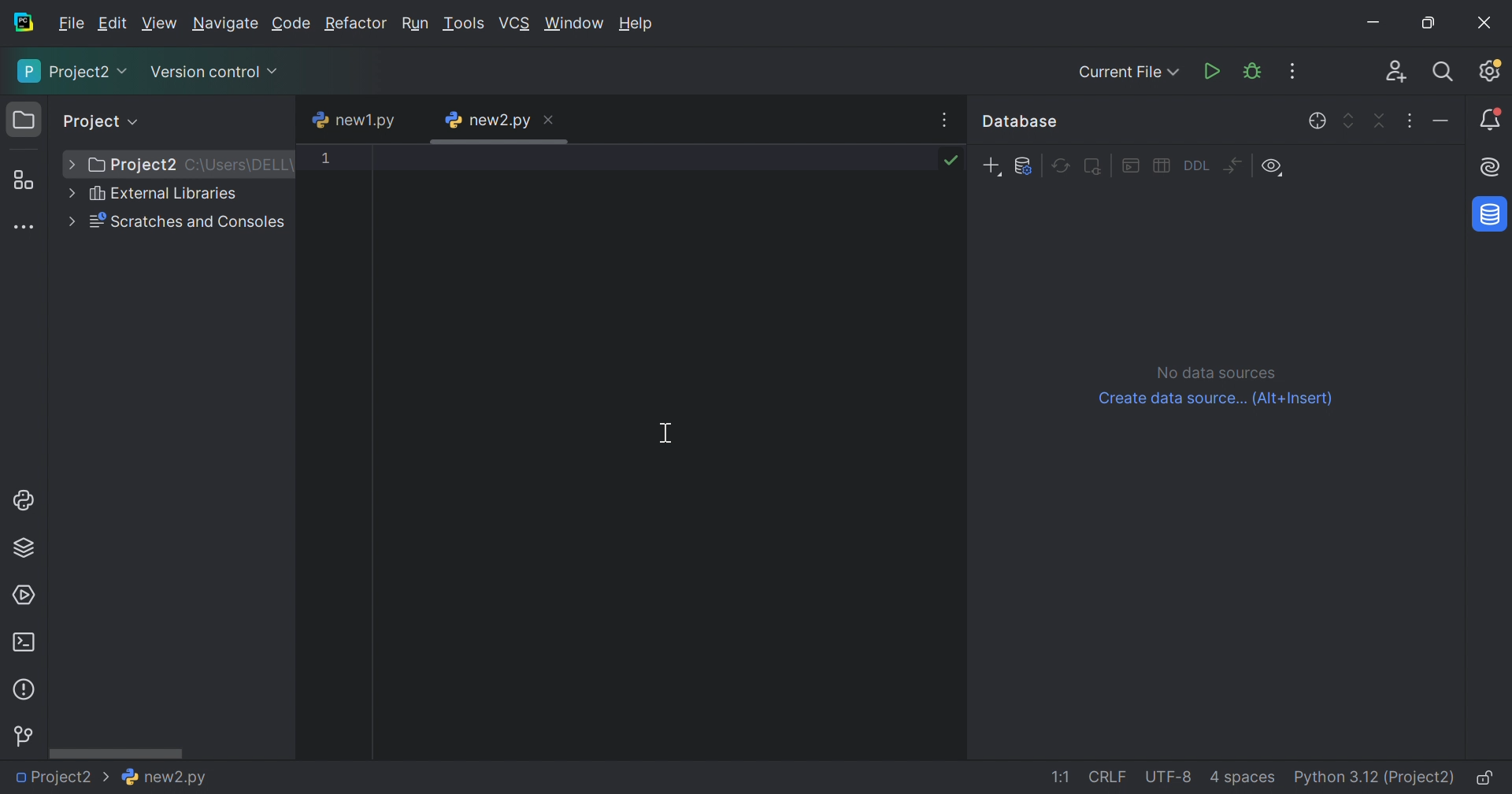  Describe the element at coordinates (1162, 167) in the screenshot. I see `Edit data` at that location.